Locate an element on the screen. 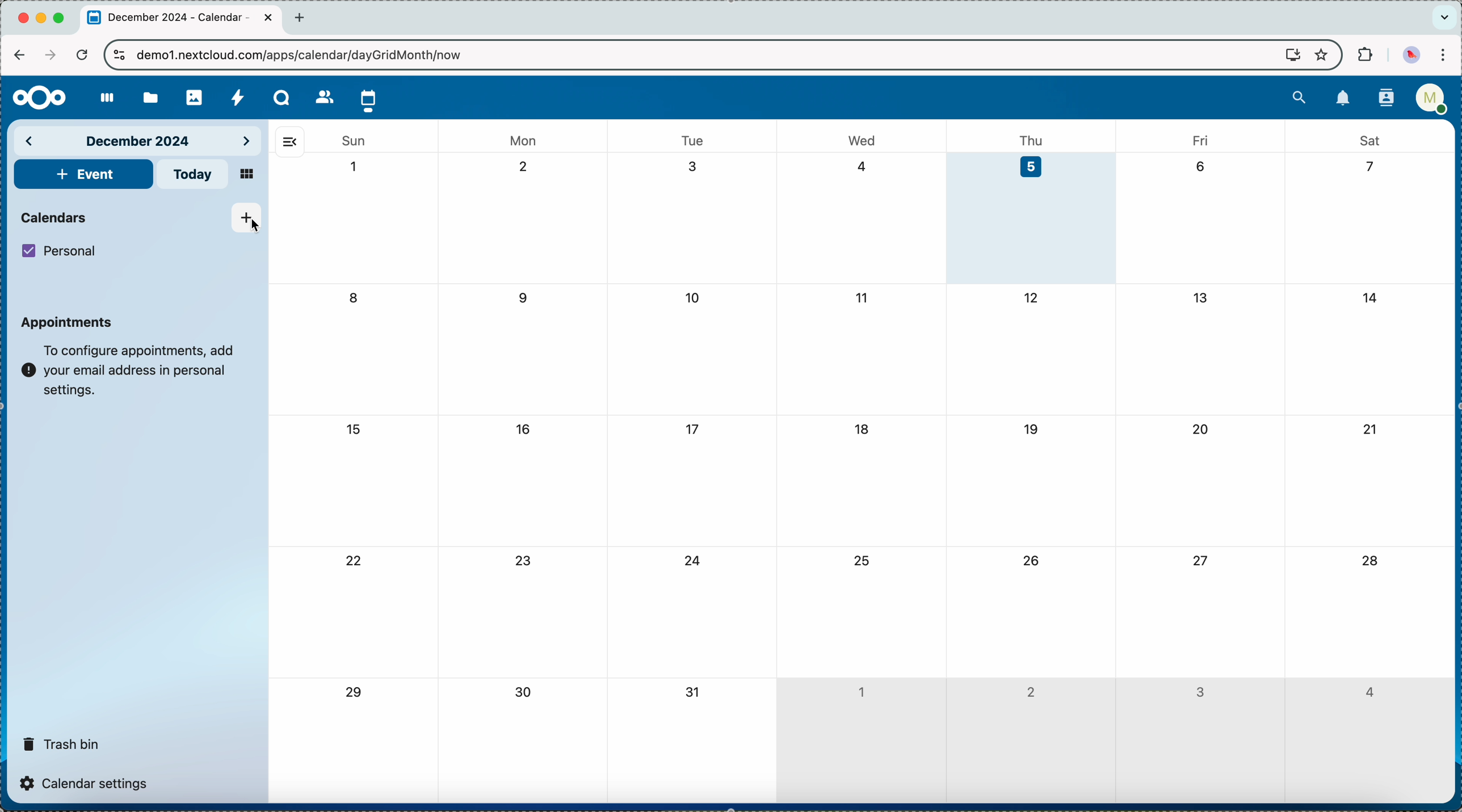 The height and width of the screenshot is (812, 1462). thu is located at coordinates (1036, 139).